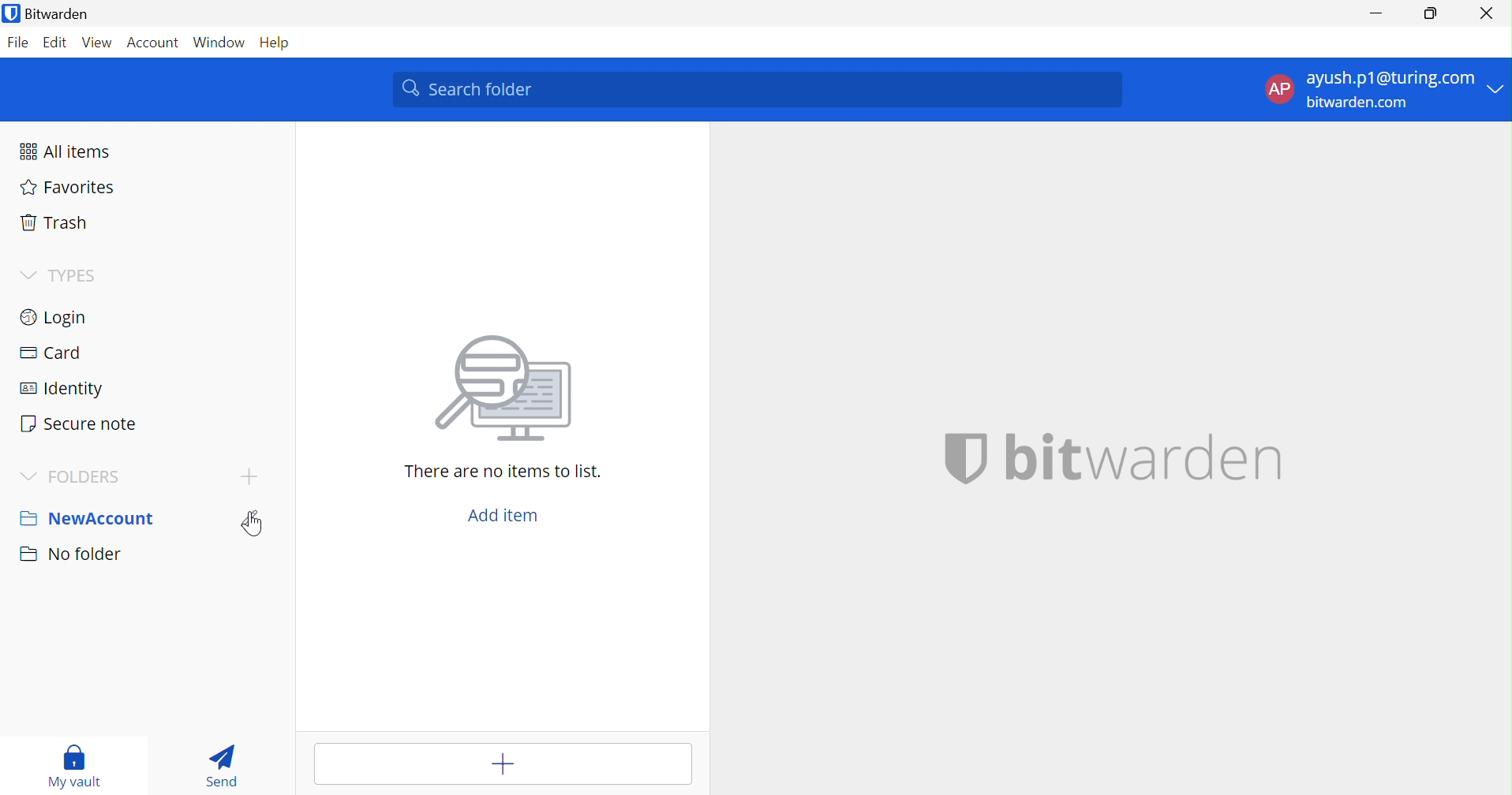 The height and width of the screenshot is (795, 1512). Describe the element at coordinates (29, 474) in the screenshot. I see `Drop Down` at that location.